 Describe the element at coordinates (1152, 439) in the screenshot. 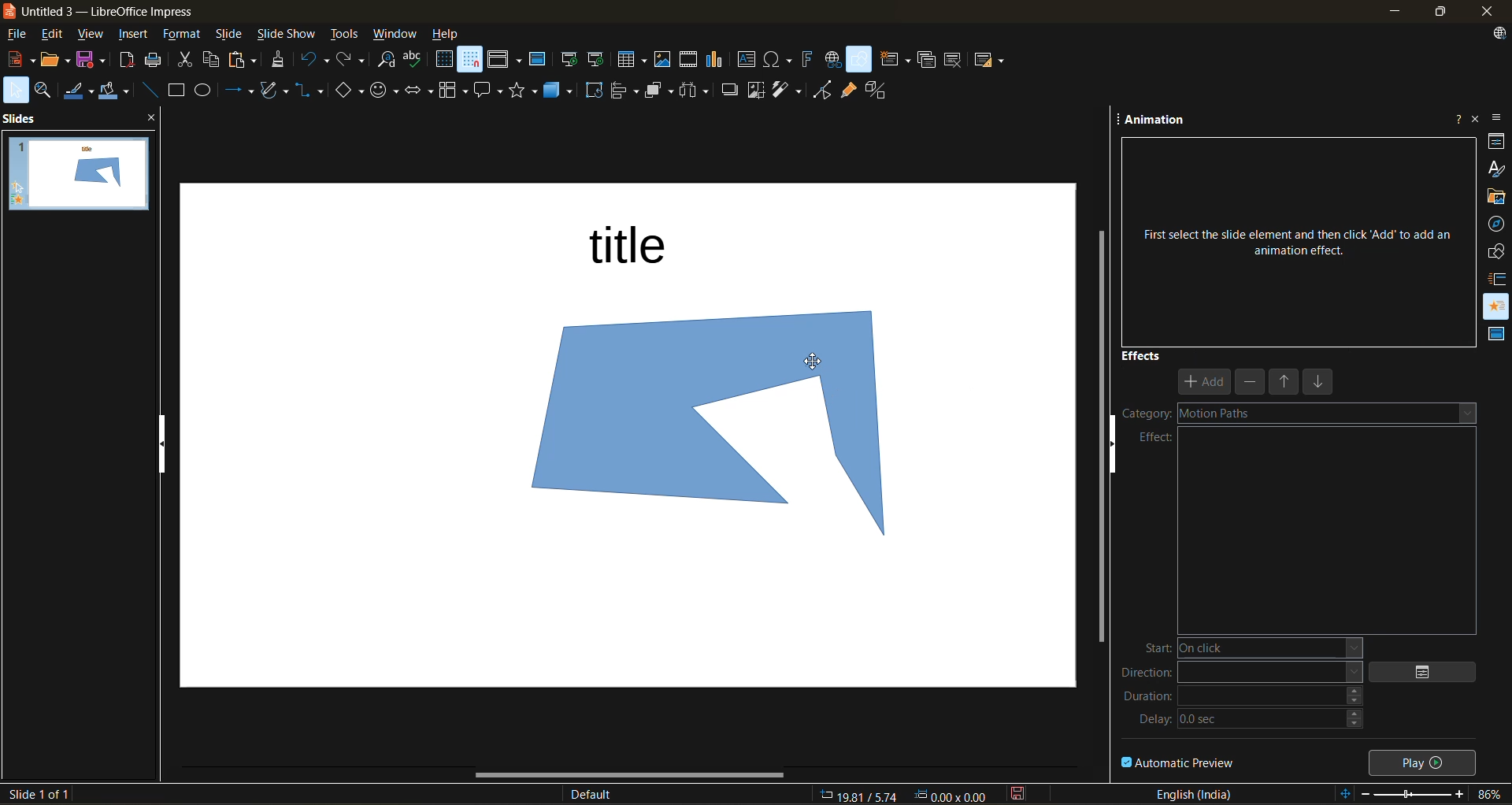

I see `effect` at that location.